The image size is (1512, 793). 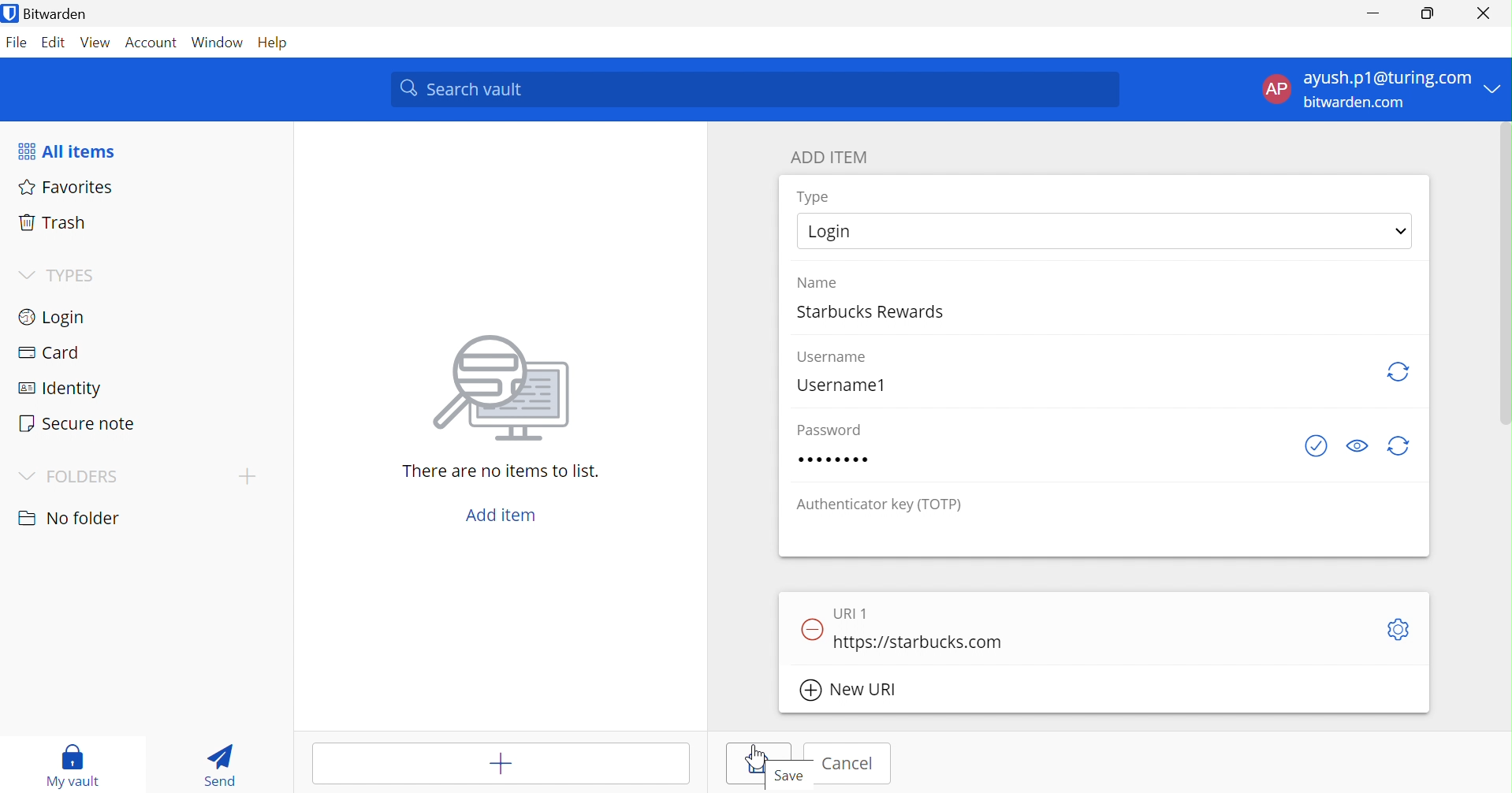 What do you see at coordinates (876, 309) in the screenshot?
I see `Starbucks Rewards` at bounding box center [876, 309].